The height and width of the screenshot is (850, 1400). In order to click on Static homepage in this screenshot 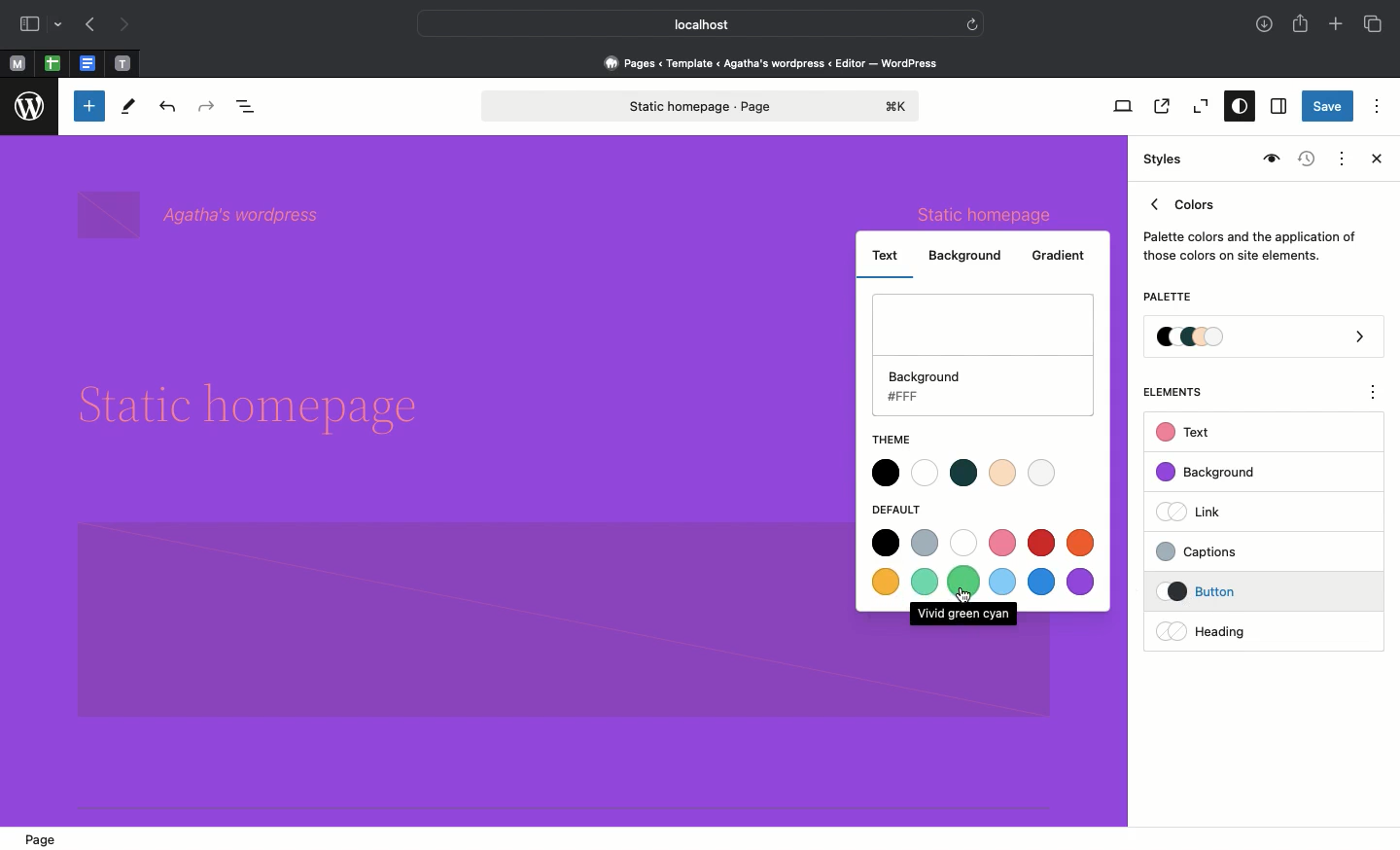, I will do `click(703, 106)`.